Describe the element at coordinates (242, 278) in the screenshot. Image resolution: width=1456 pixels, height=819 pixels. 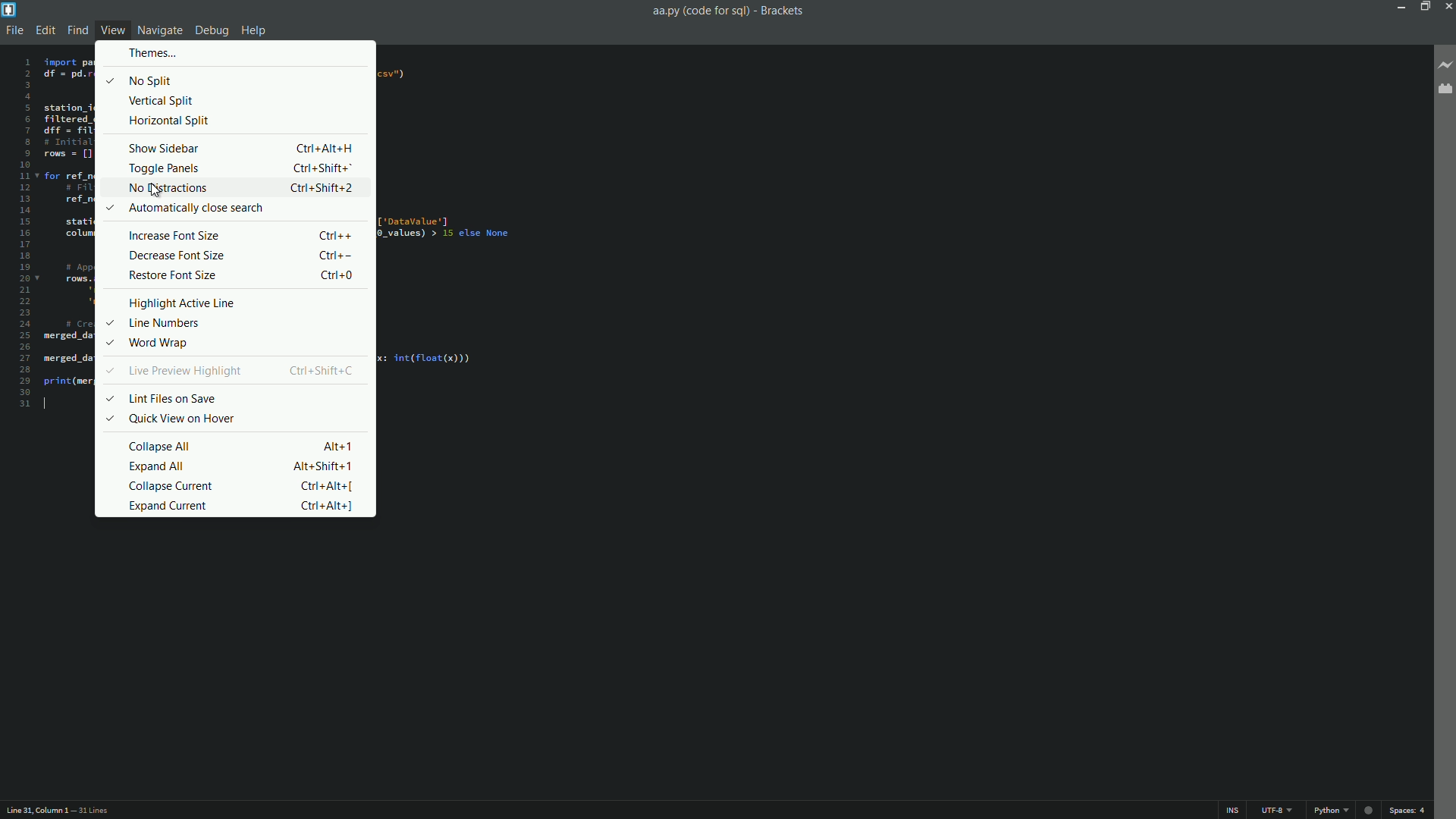
I see `restore font size Ctrl + O` at that location.